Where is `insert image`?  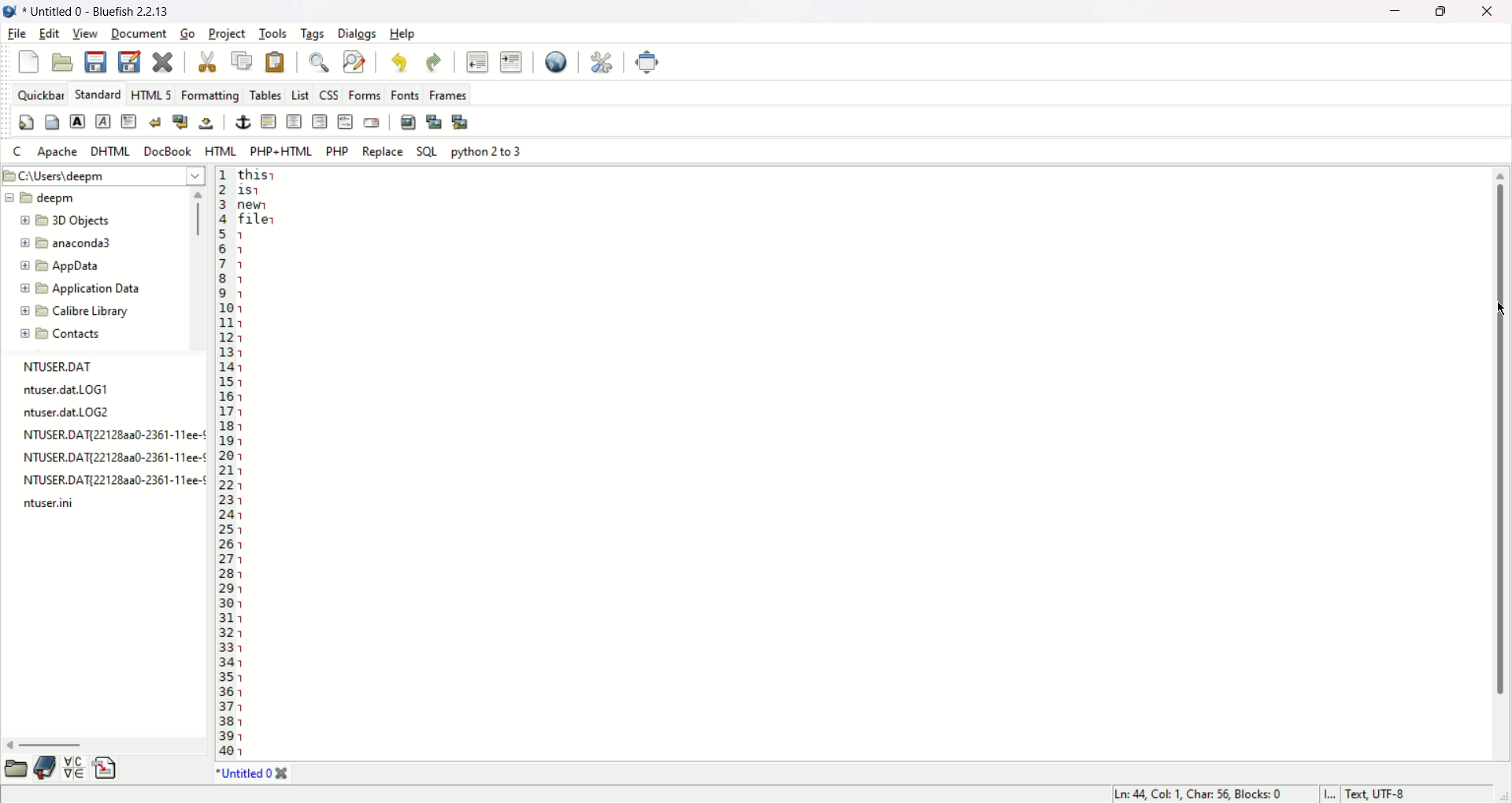
insert image is located at coordinates (407, 121).